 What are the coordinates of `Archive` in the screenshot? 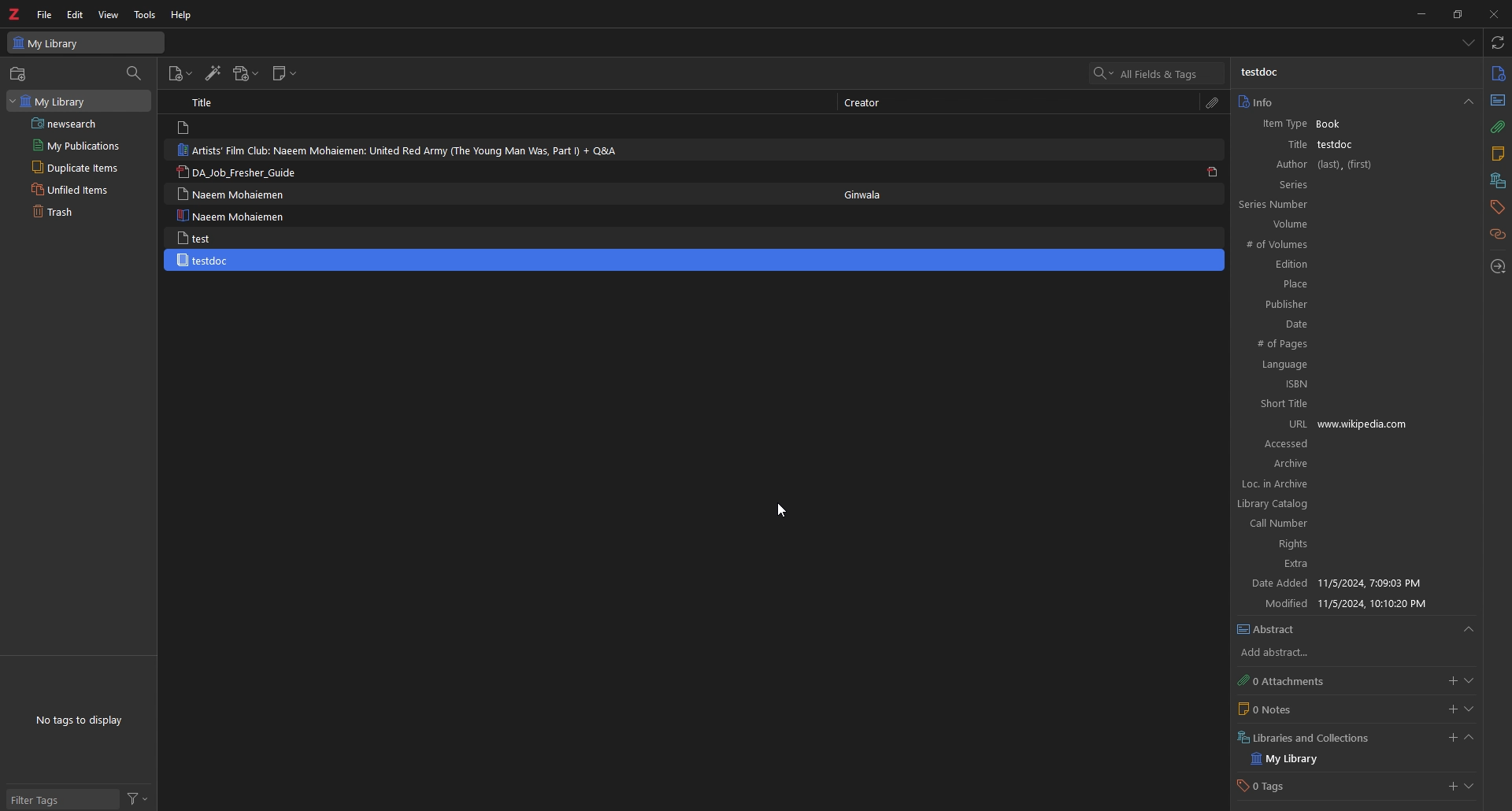 It's located at (1269, 465).